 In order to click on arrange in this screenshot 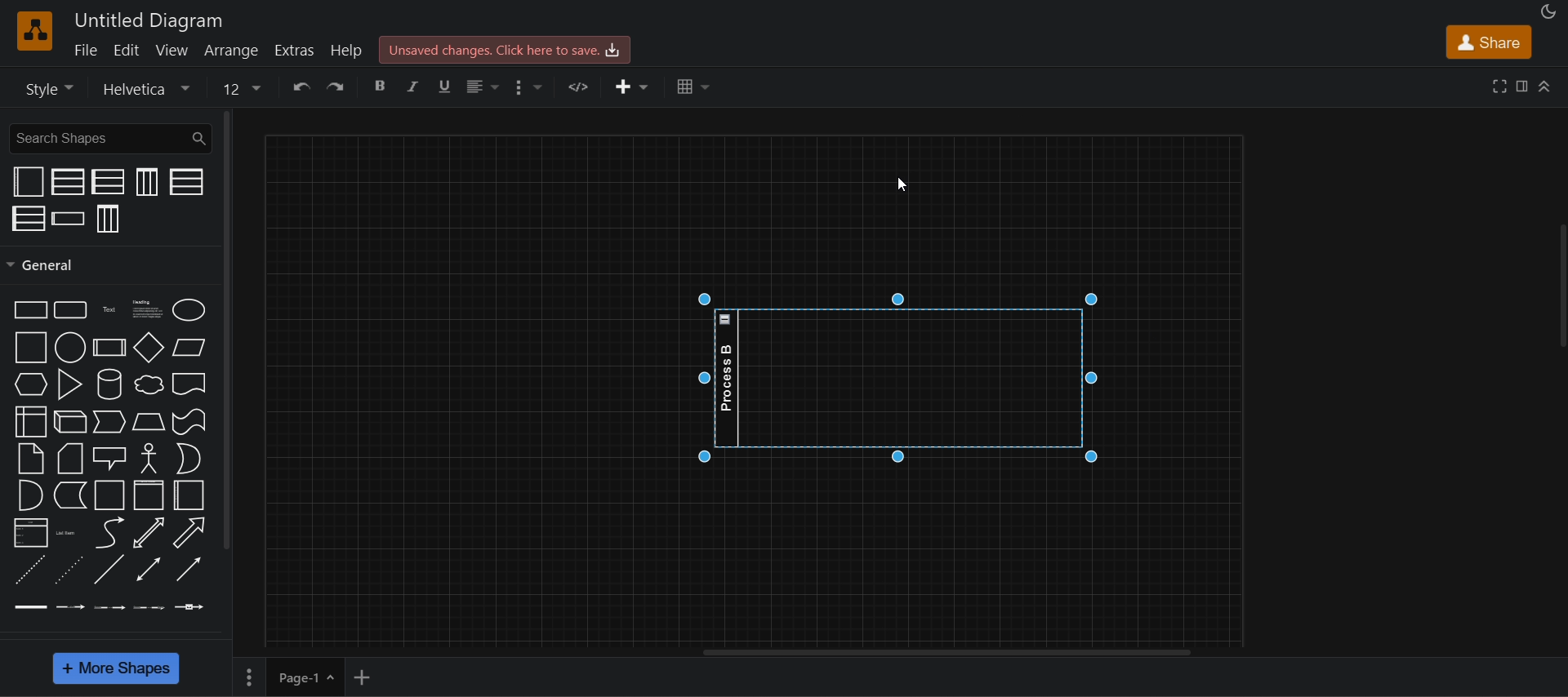, I will do `click(230, 50)`.